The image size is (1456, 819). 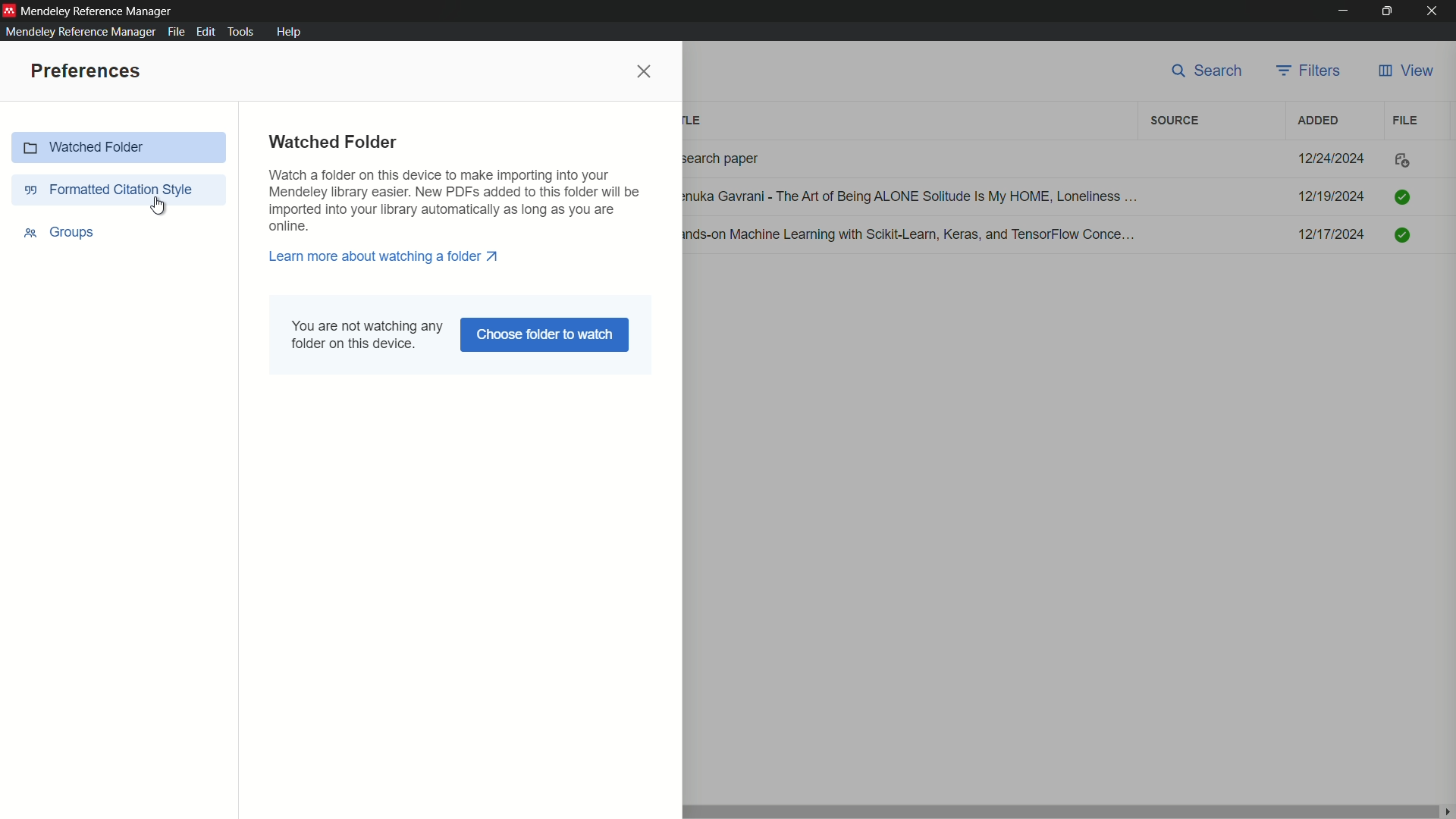 I want to click on cursor, so click(x=164, y=206).